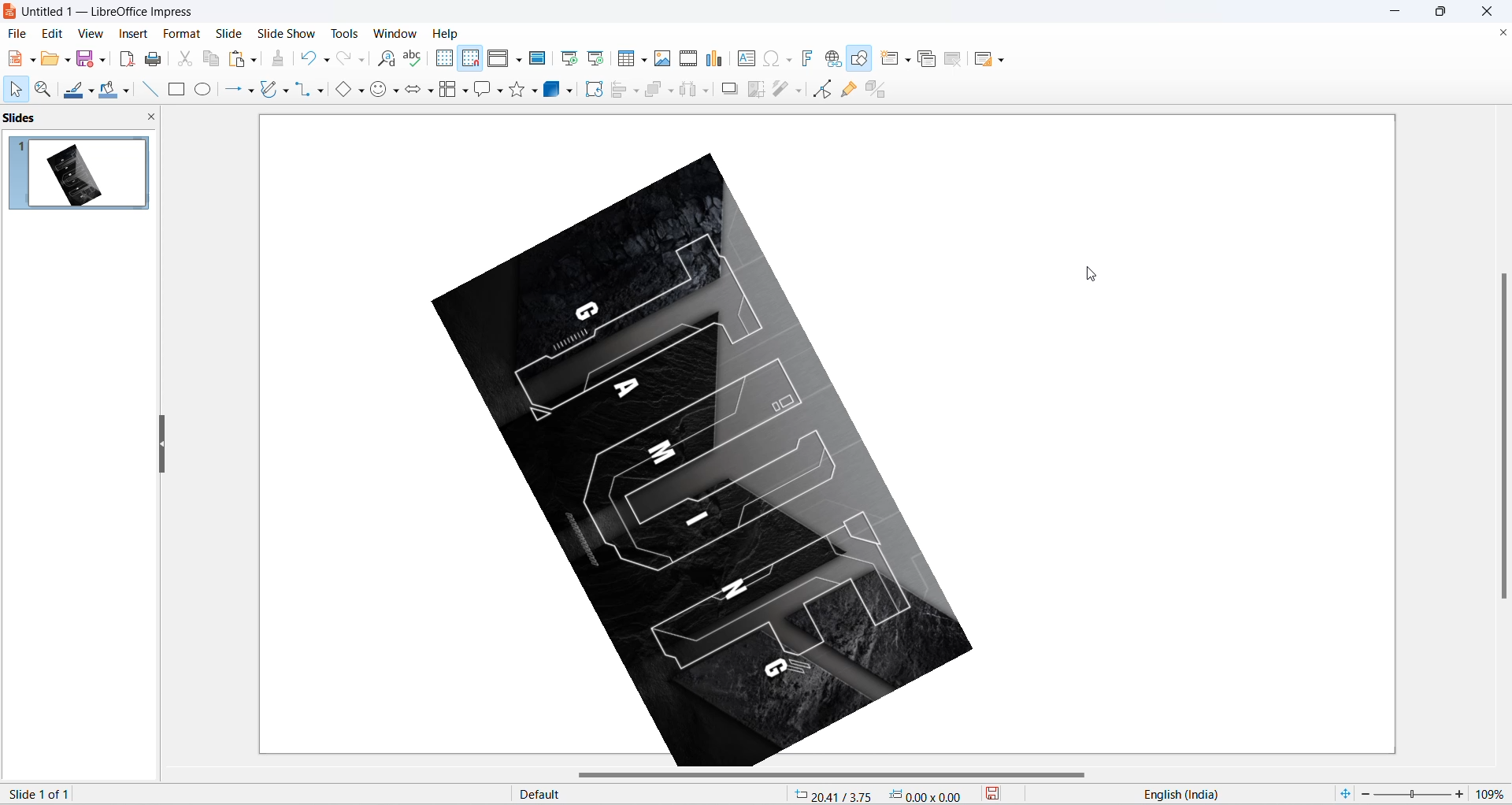 The width and height of the screenshot is (1512, 805). What do you see at coordinates (835, 60) in the screenshot?
I see `insert hyperlink` at bounding box center [835, 60].